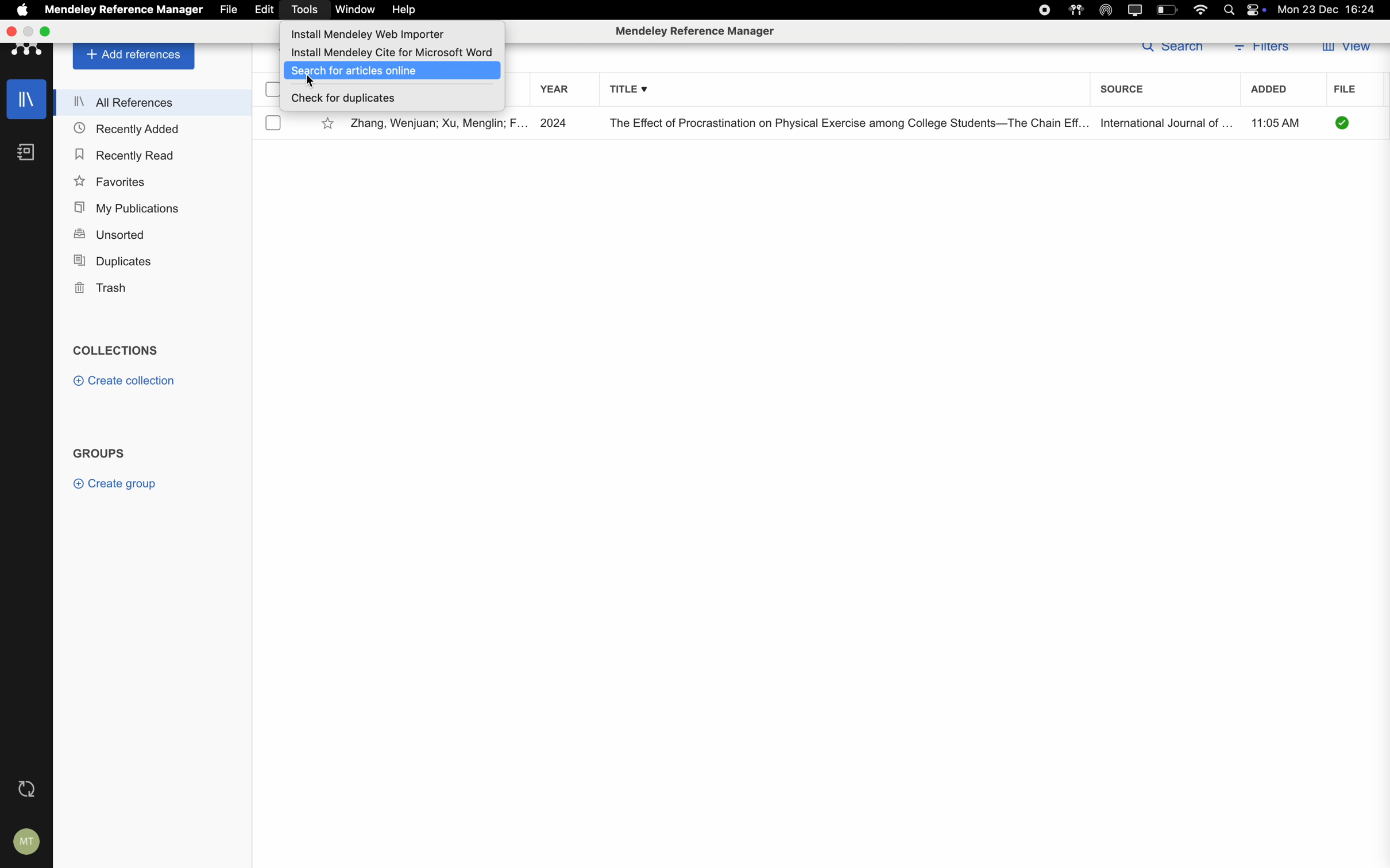 This screenshot has width=1390, height=868. What do you see at coordinates (369, 35) in the screenshot?
I see `install Mendeley web importer` at bounding box center [369, 35].